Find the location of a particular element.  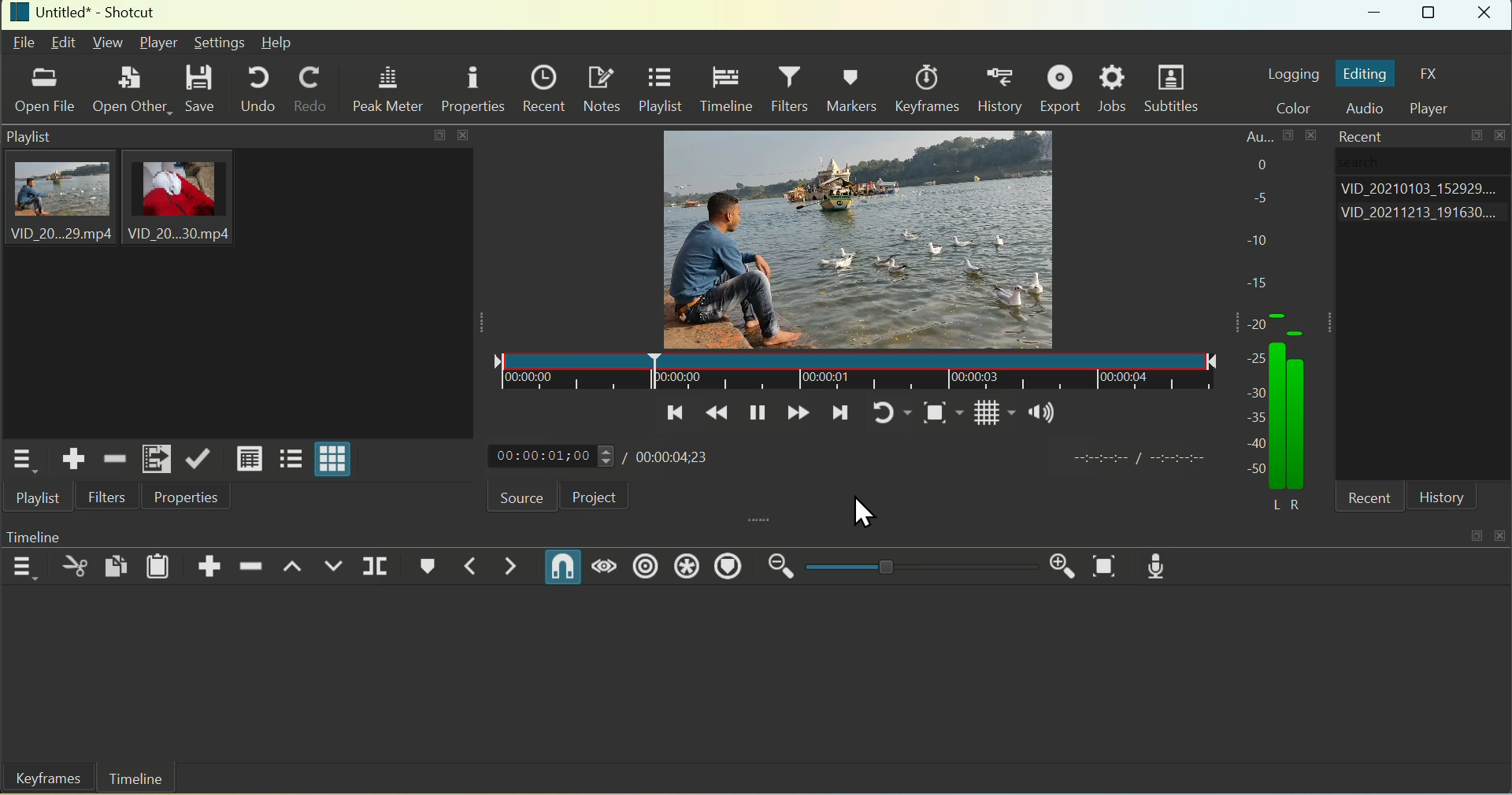

View as details is located at coordinates (249, 459).